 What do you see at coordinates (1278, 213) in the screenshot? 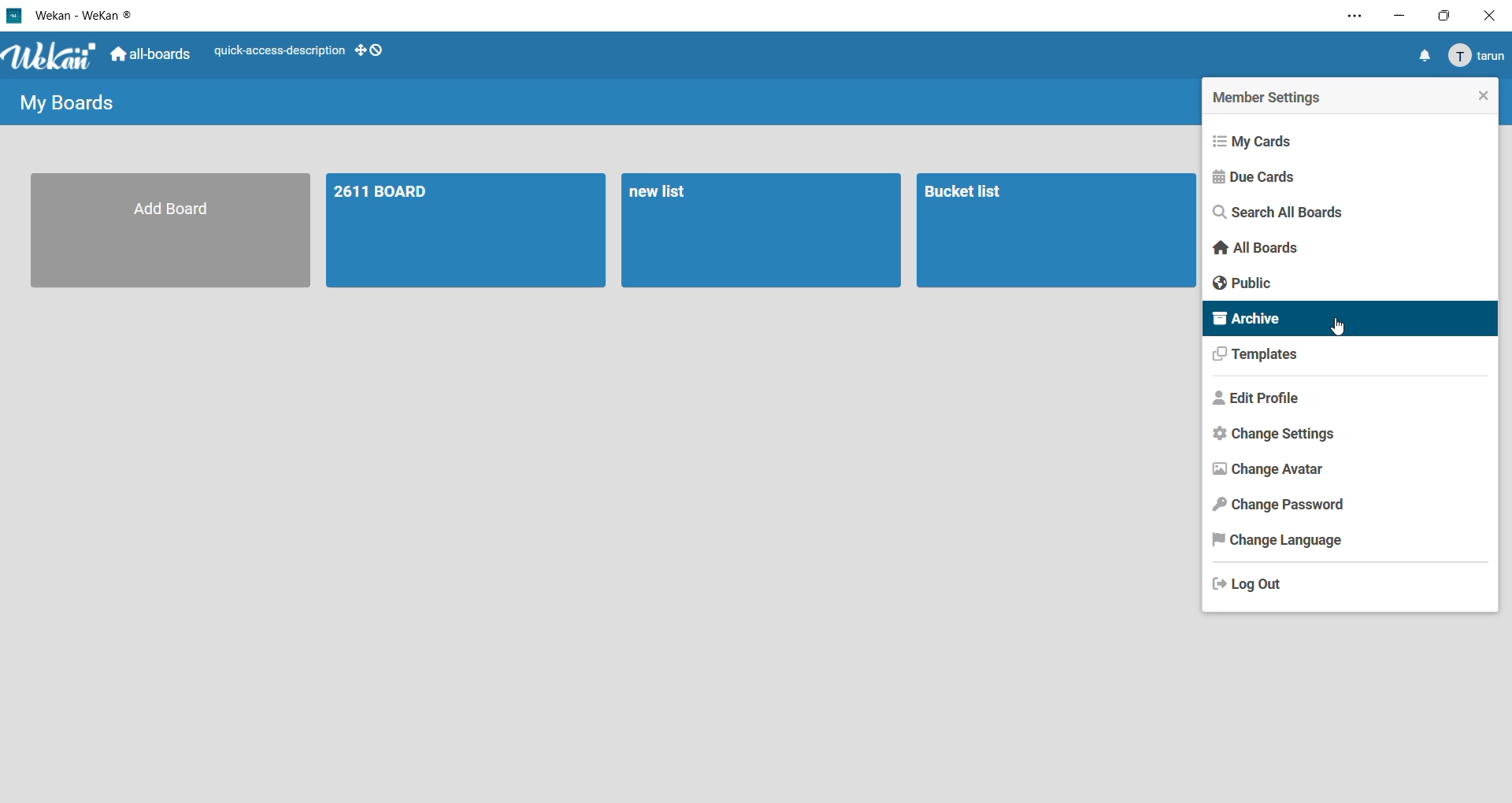
I see `search all boards` at bounding box center [1278, 213].